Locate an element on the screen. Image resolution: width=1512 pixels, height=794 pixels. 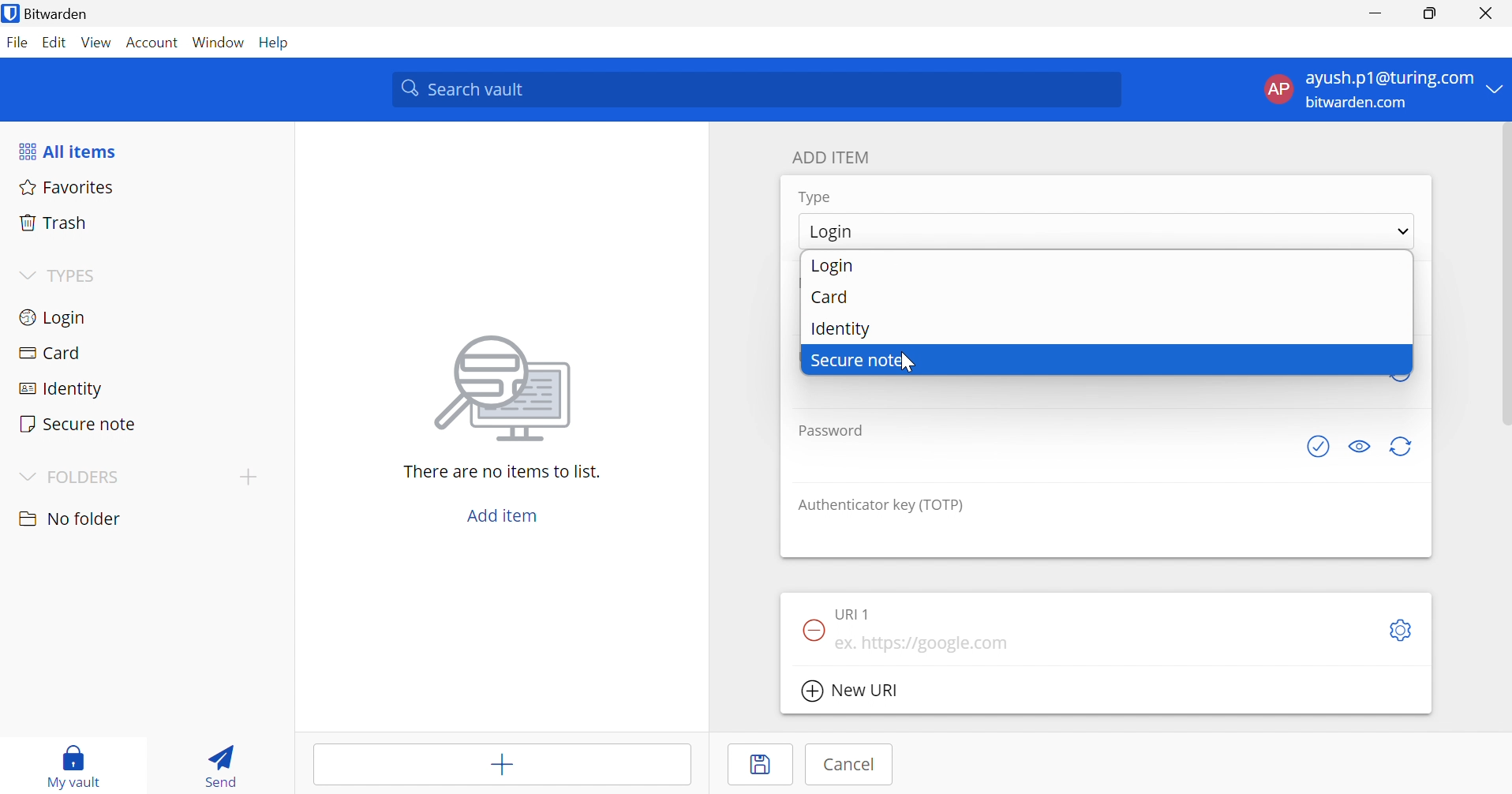
AP is located at coordinates (1276, 88).